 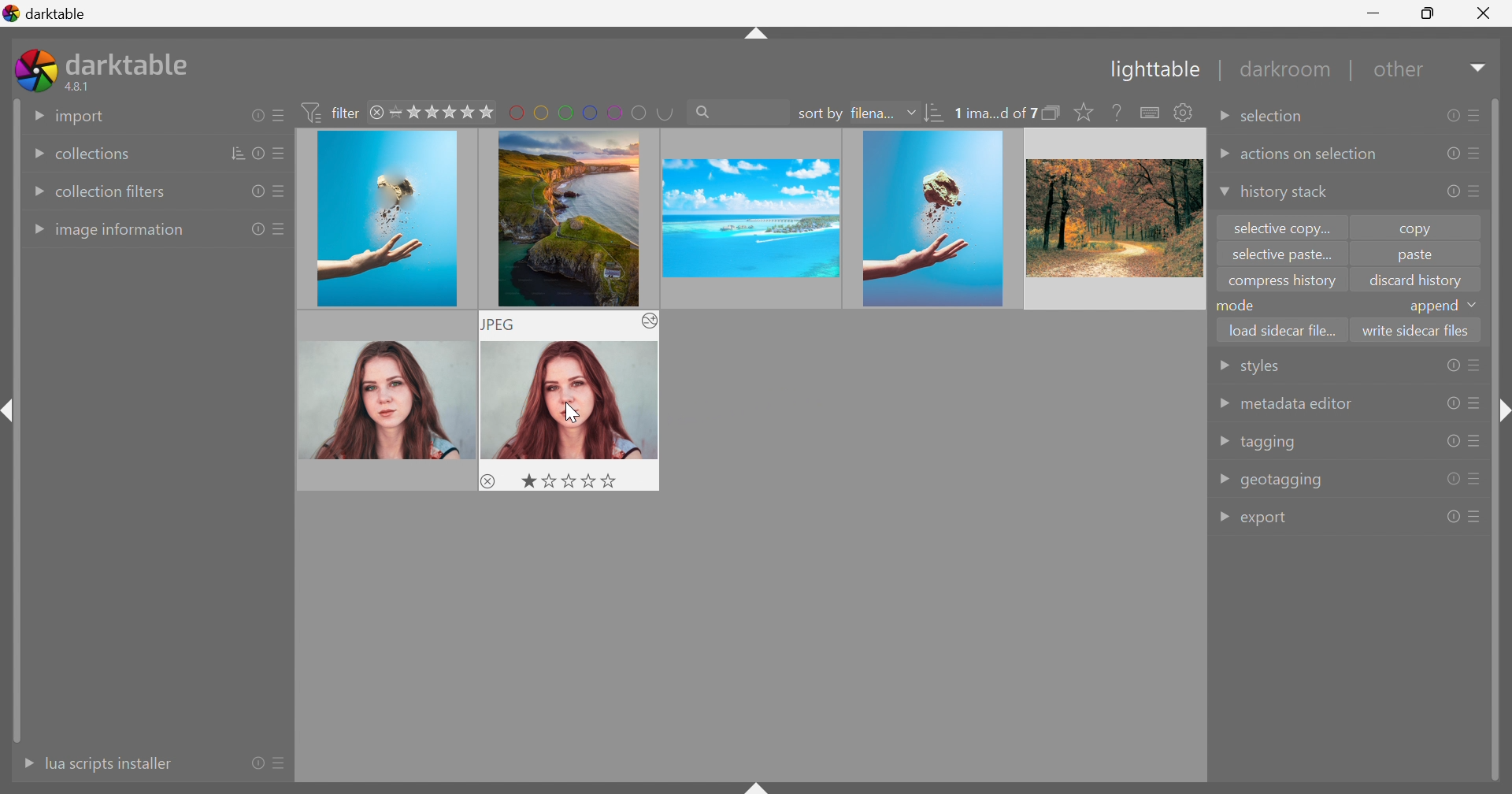 What do you see at coordinates (1295, 404) in the screenshot?
I see `metadata editor` at bounding box center [1295, 404].